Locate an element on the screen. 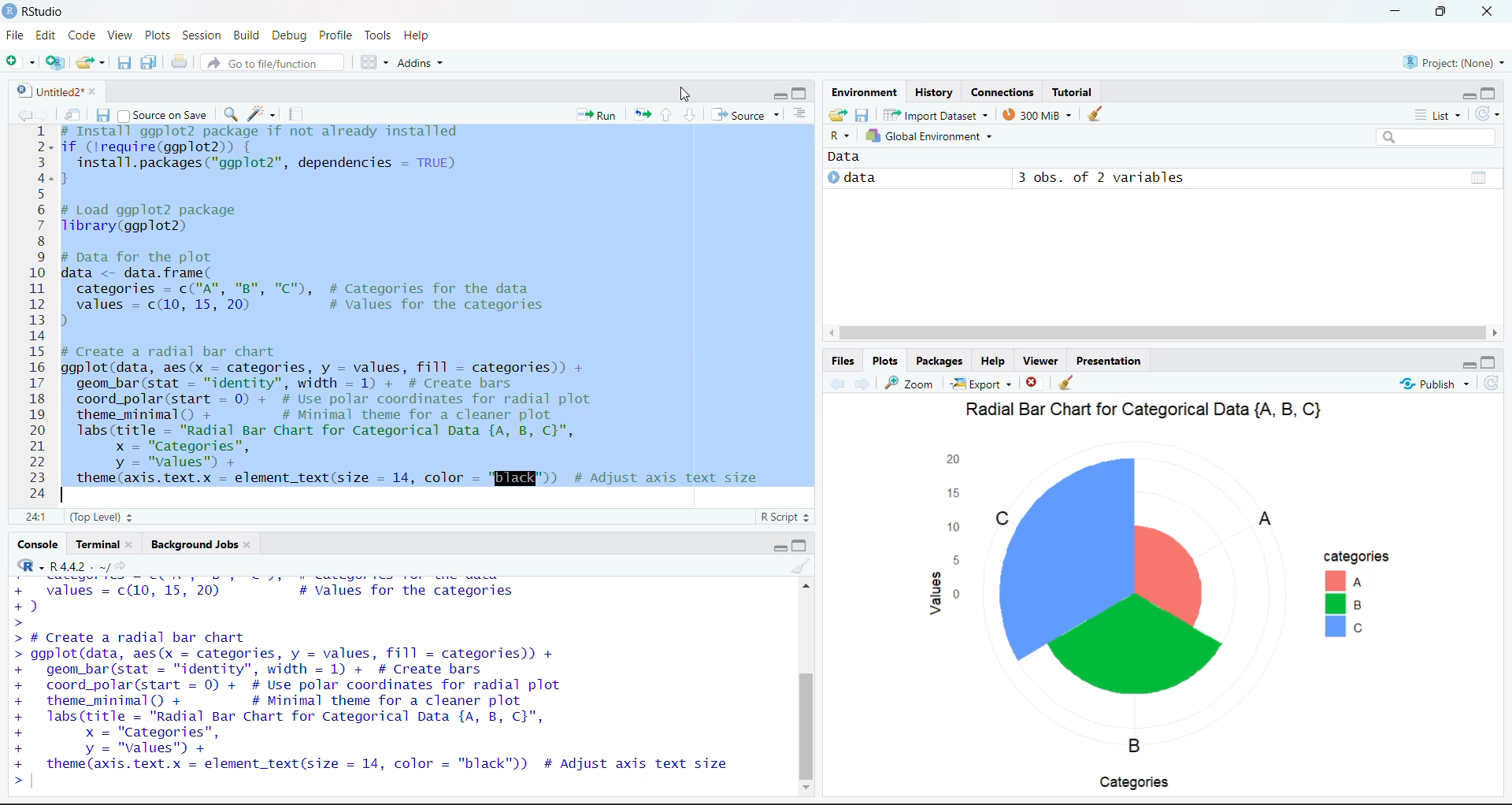 The image size is (1512, 805). typing cursor is located at coordinates (67, 496).